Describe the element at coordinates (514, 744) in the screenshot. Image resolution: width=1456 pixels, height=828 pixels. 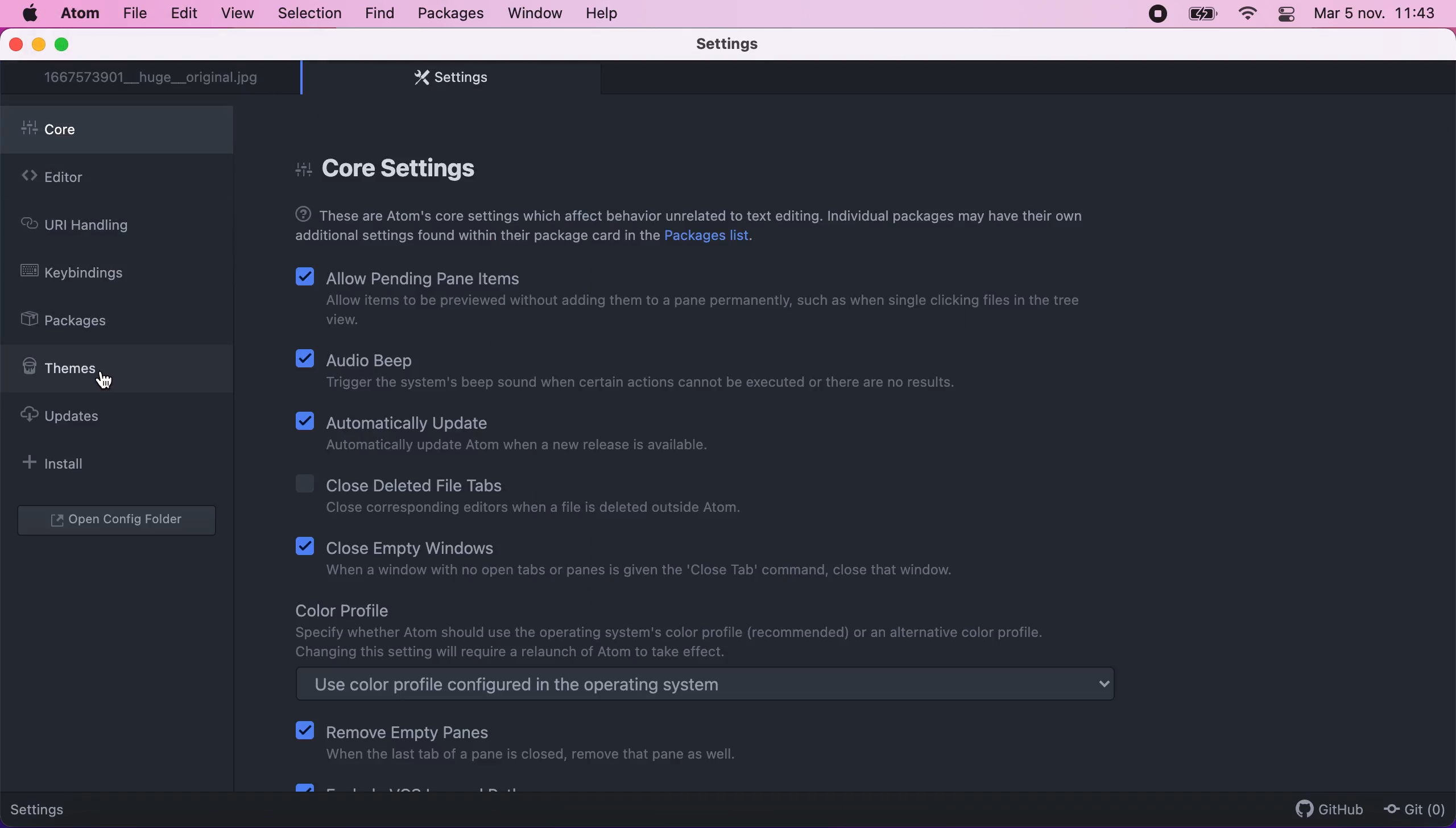
I see `Remove Empty Panes | When the last tab of a pane is closed, remove that pane as well.` at that location.